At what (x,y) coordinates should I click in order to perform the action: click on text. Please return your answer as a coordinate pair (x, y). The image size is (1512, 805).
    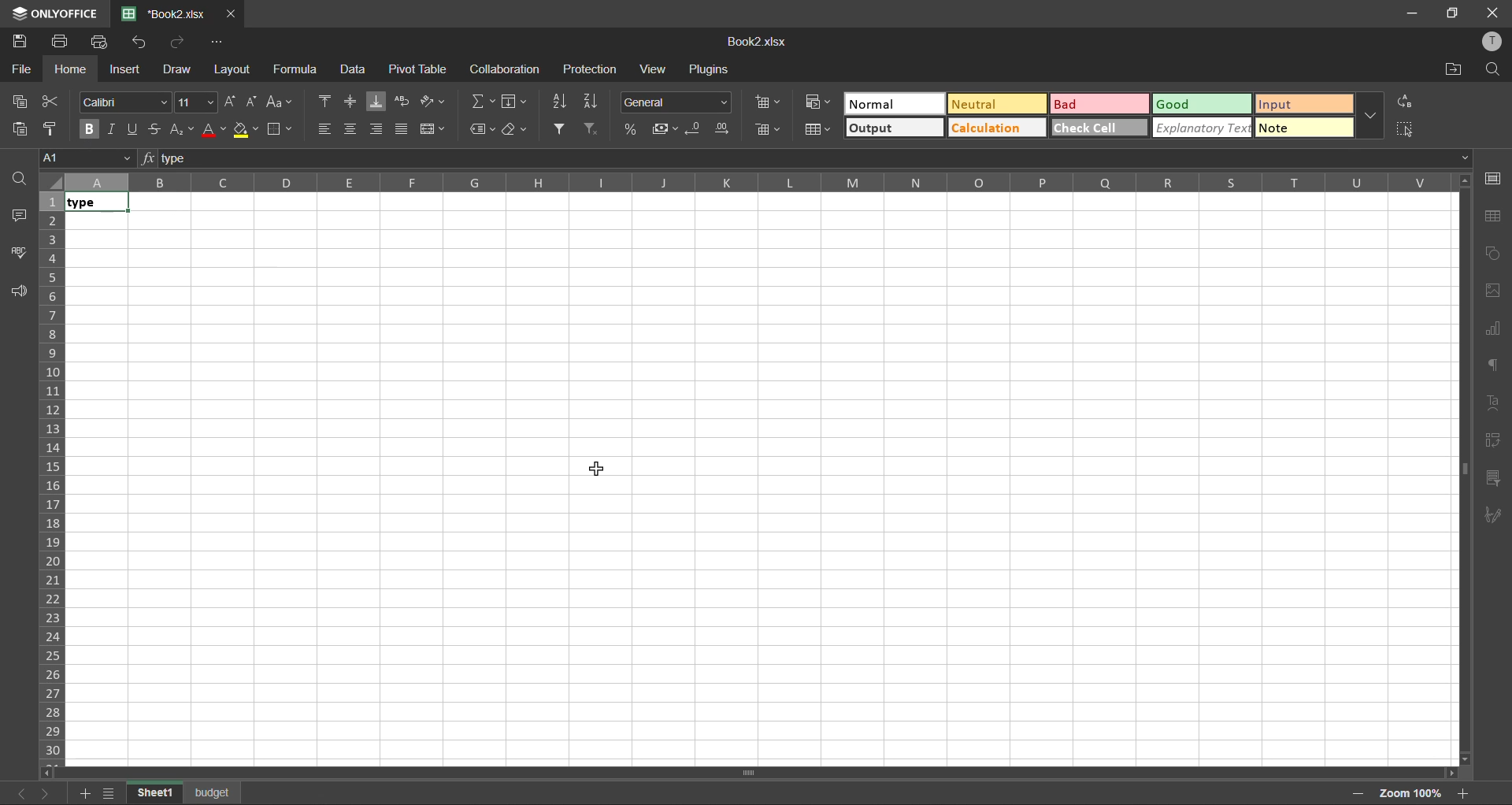
    Looking at the image, I should click on (1492, 402).